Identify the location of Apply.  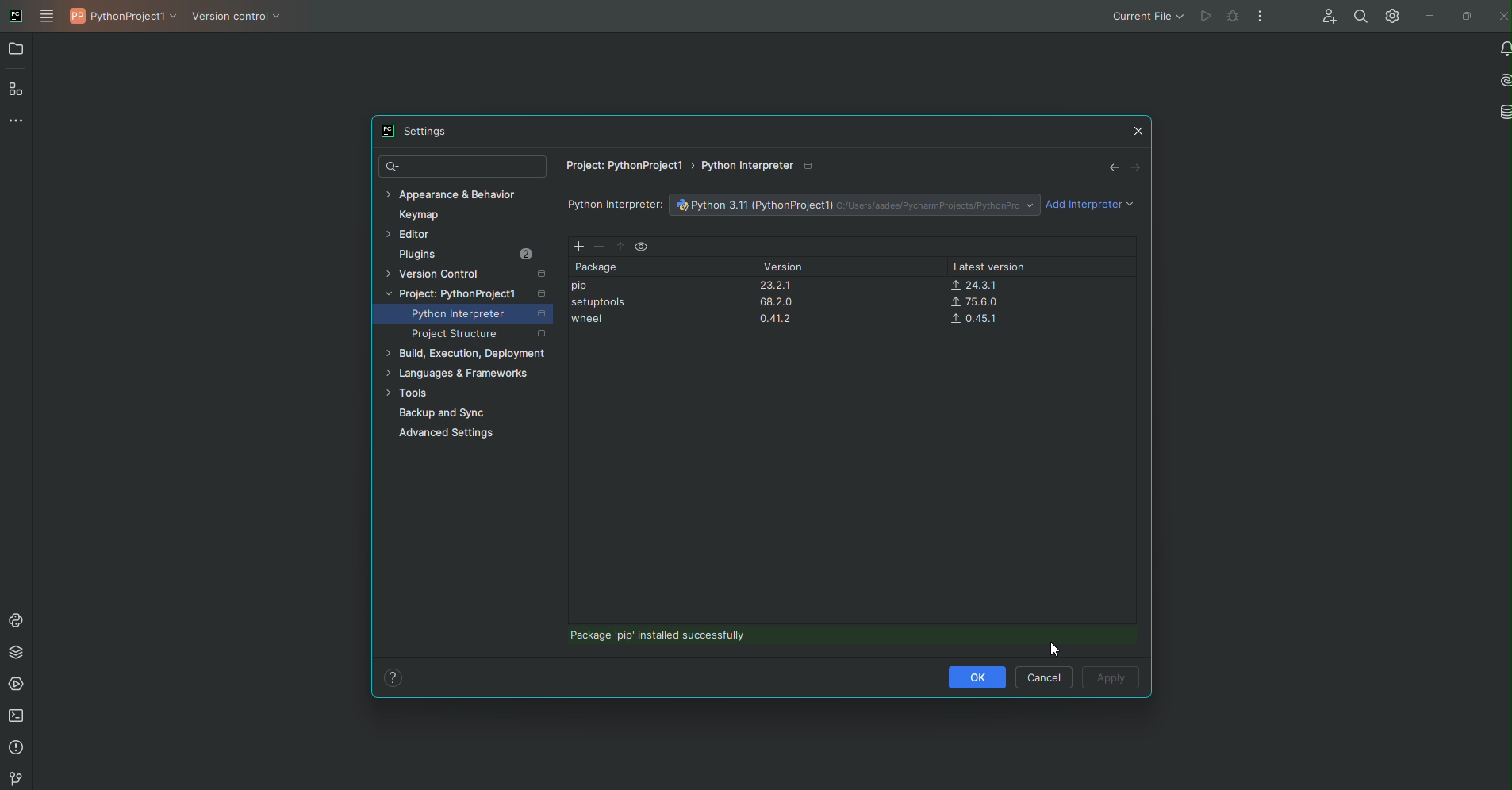
(1111, 679).